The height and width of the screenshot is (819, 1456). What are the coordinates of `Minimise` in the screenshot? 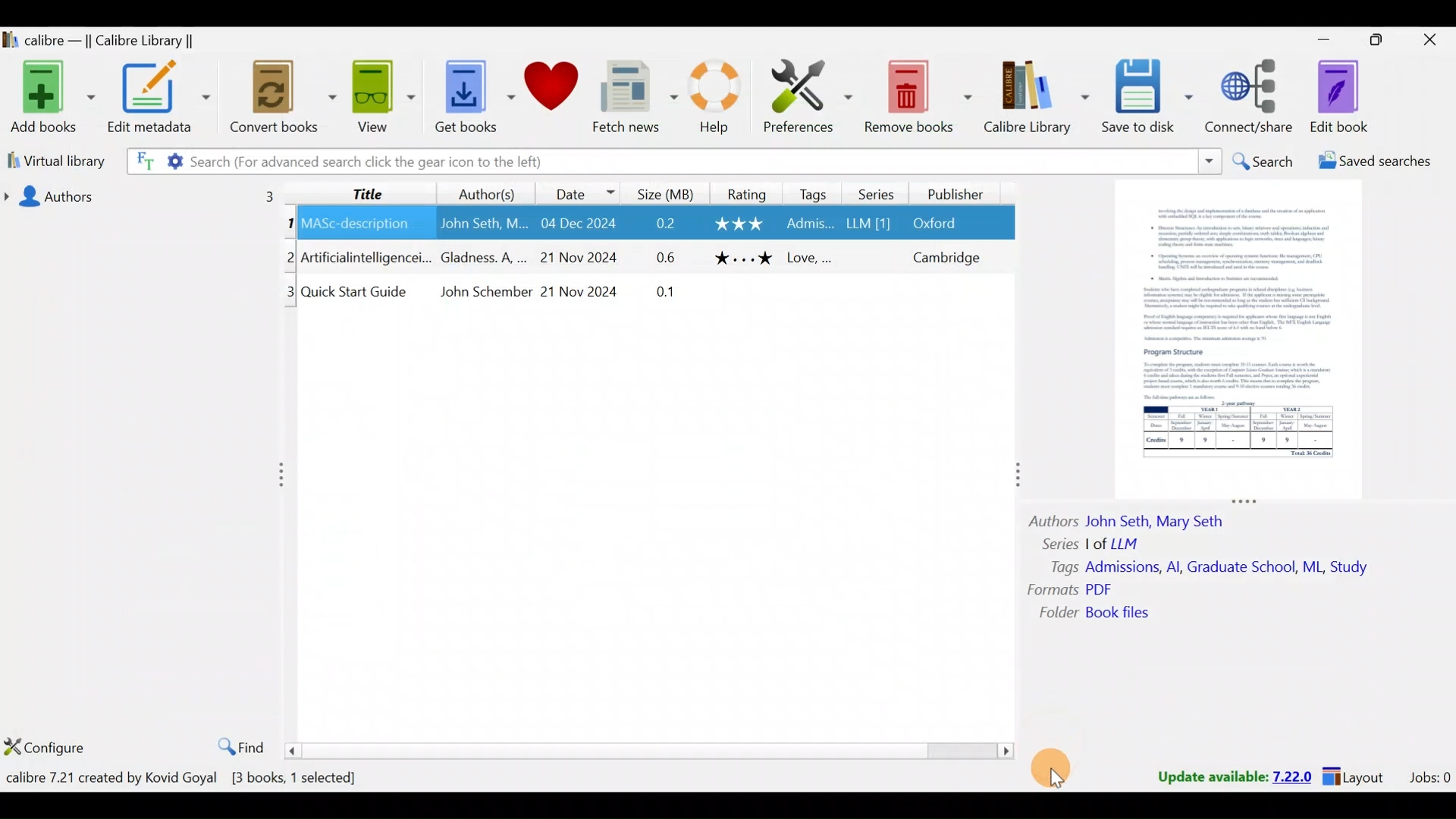 It's located at (1325, 41).